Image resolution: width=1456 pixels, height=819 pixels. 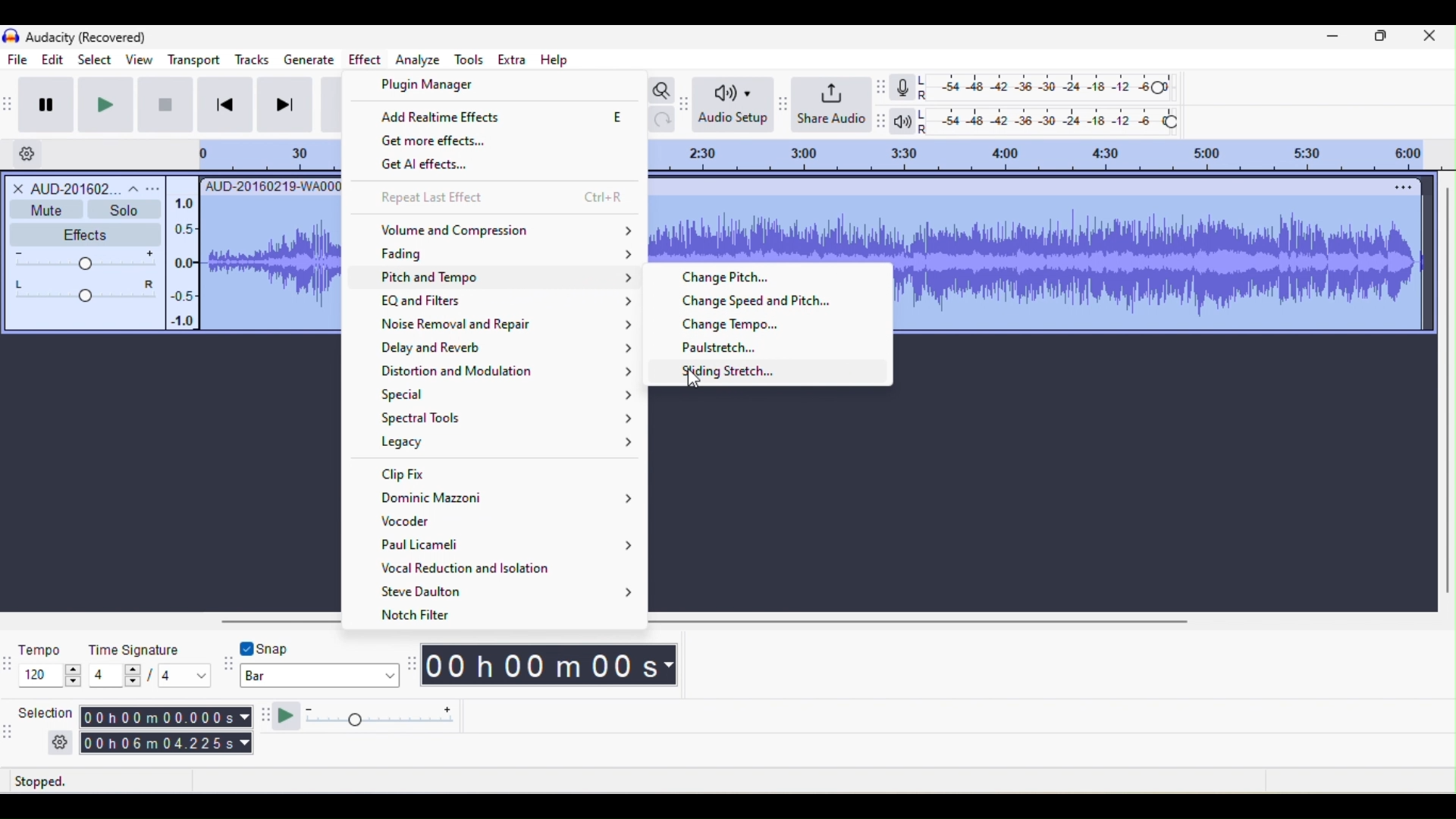 What do you see at coordinates (227, 106) in the screenshot?
I see `skip to start` at bounding box center [227, 106].